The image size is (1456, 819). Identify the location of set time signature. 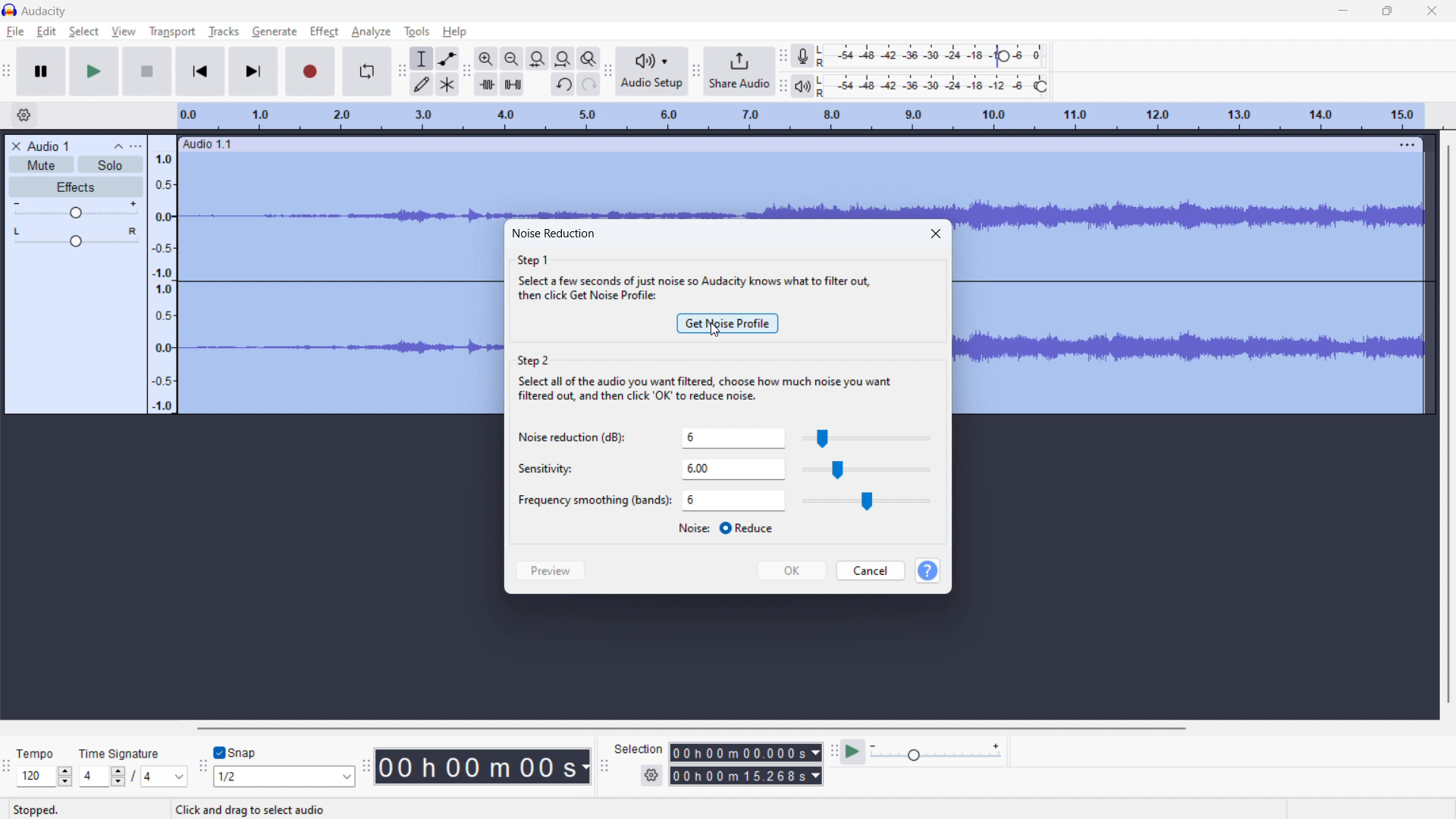
(133, 767).